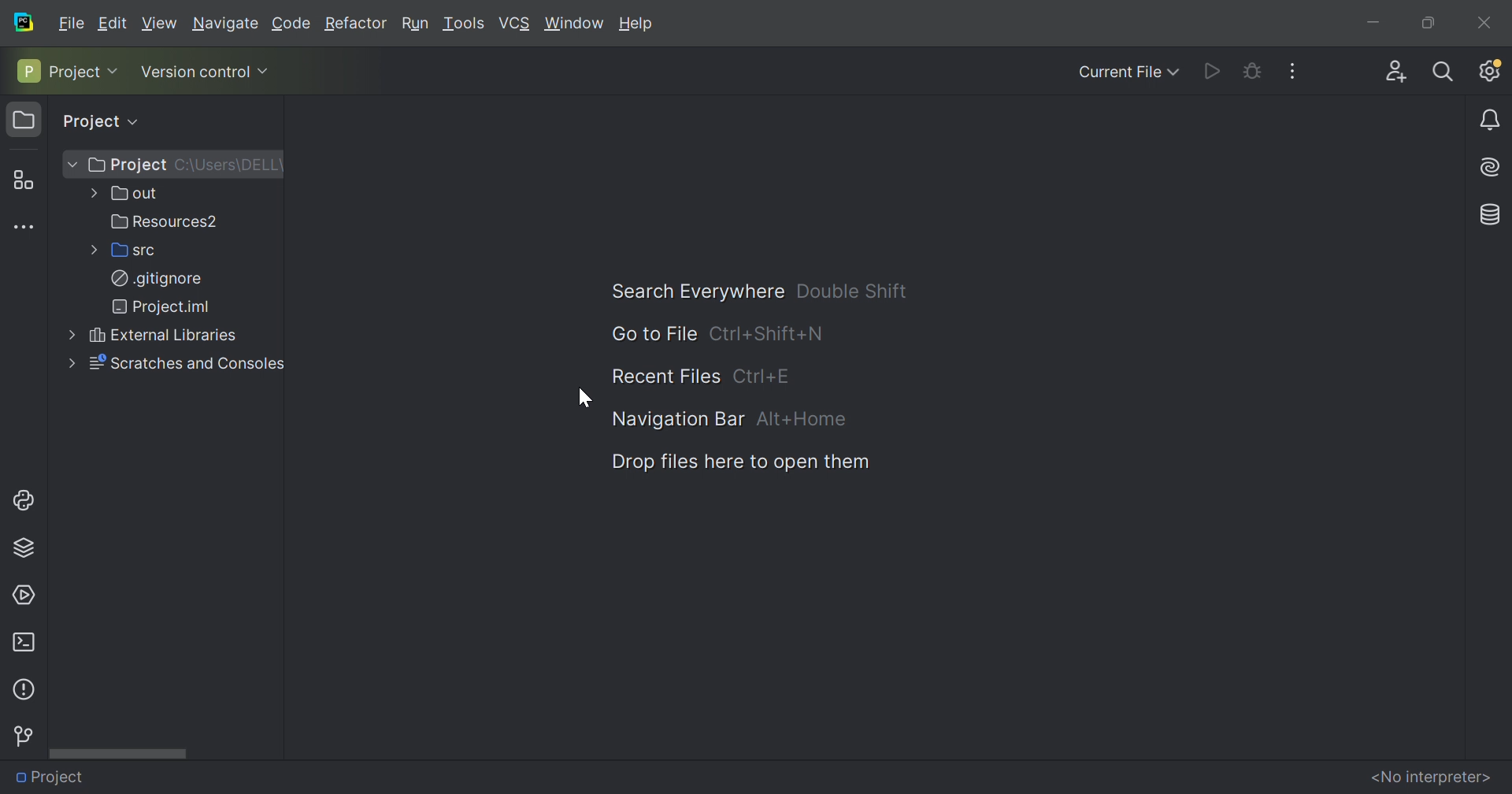 The height and width of the screenshot is (794, 1512). What do you see at coordinates (57, 70) in the screenshot?
I see `Project` at bounding box center [57, 70].